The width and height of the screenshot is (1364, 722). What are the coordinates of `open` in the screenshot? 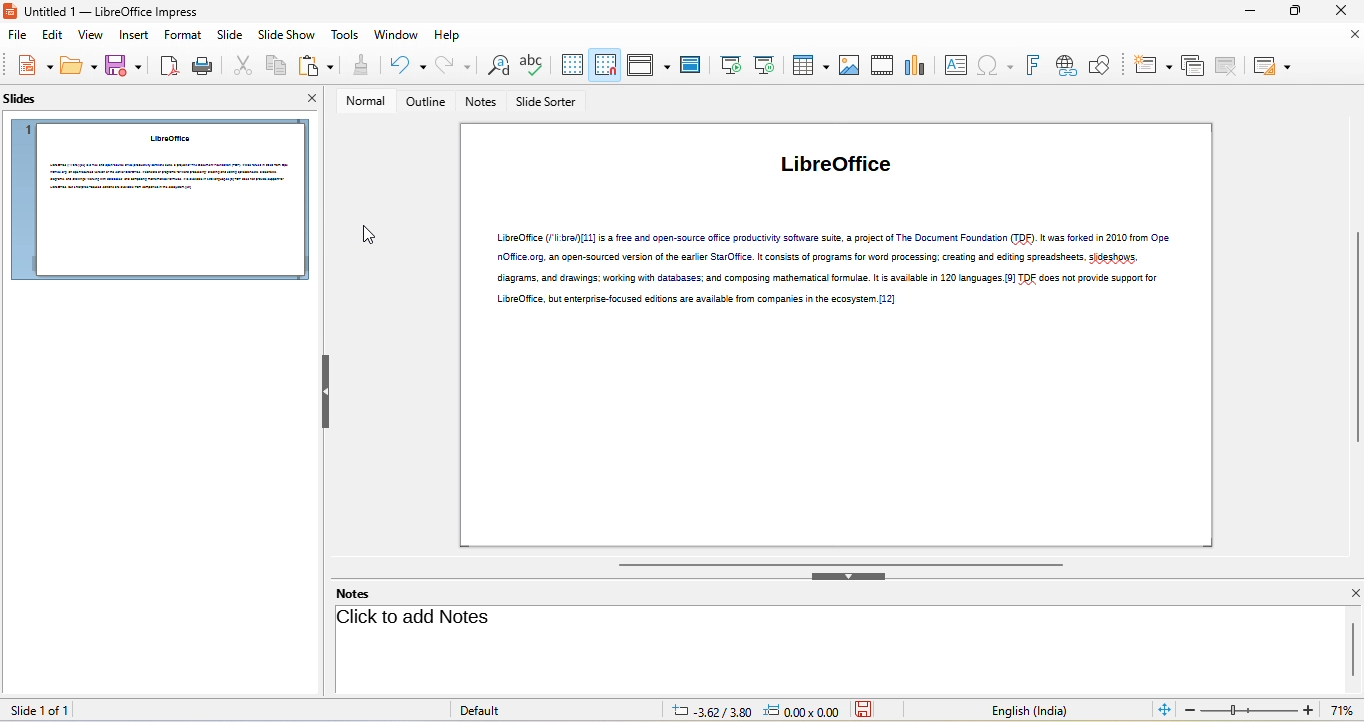 It's located at (78, 65).